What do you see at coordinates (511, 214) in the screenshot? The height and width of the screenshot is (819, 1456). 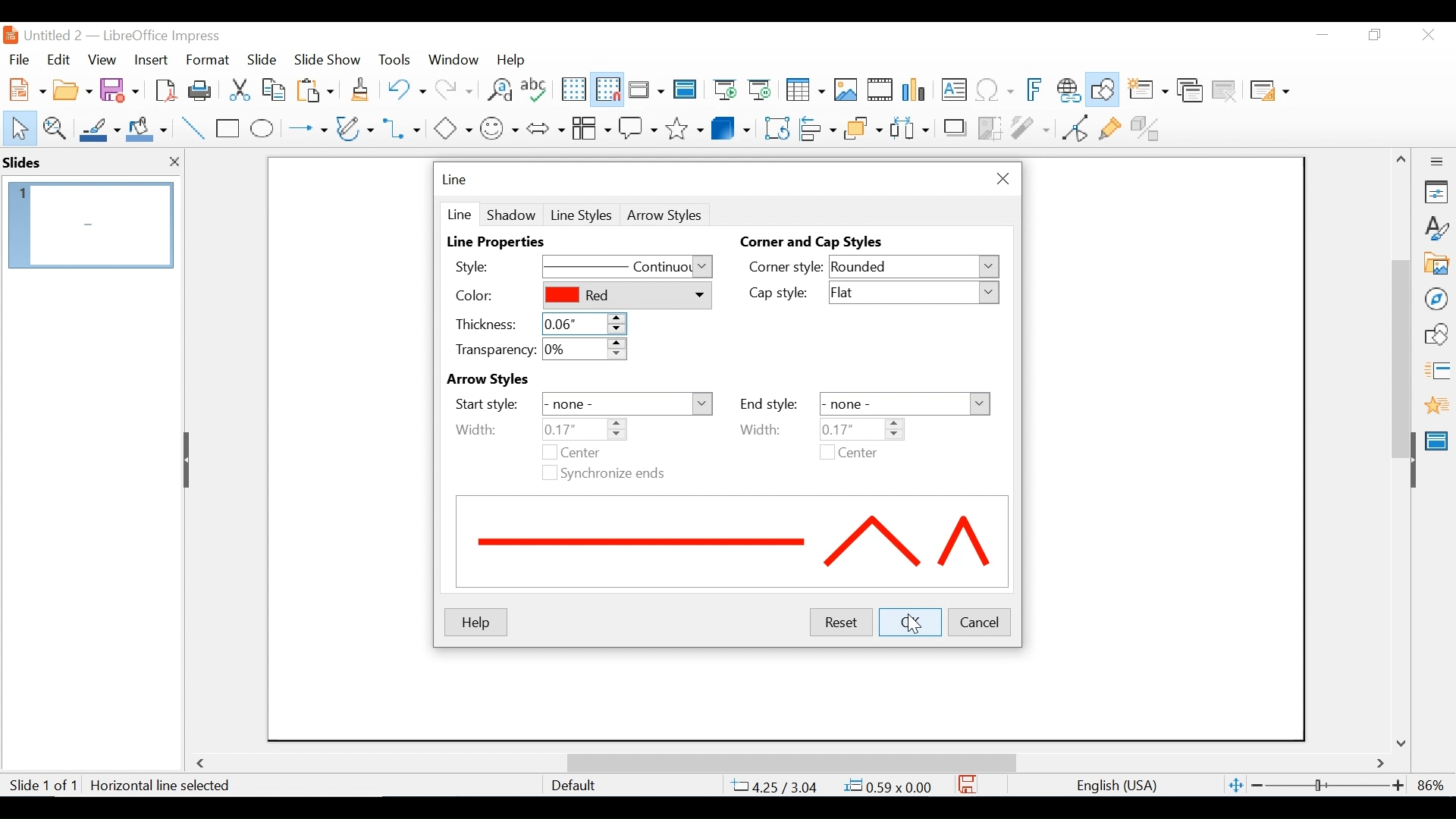 I see `Shadow` at bounding box center [511, 214].